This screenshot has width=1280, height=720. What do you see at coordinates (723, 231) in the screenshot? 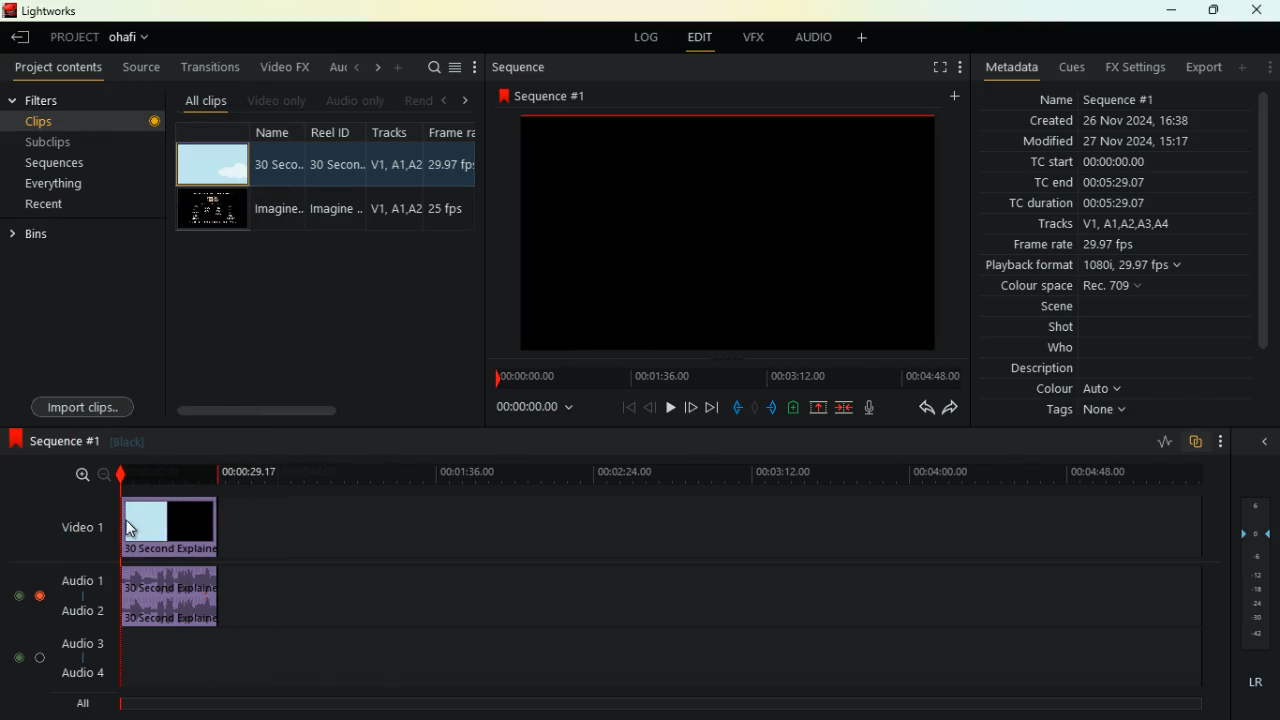
I see `image` at bounding box center [723, 231].